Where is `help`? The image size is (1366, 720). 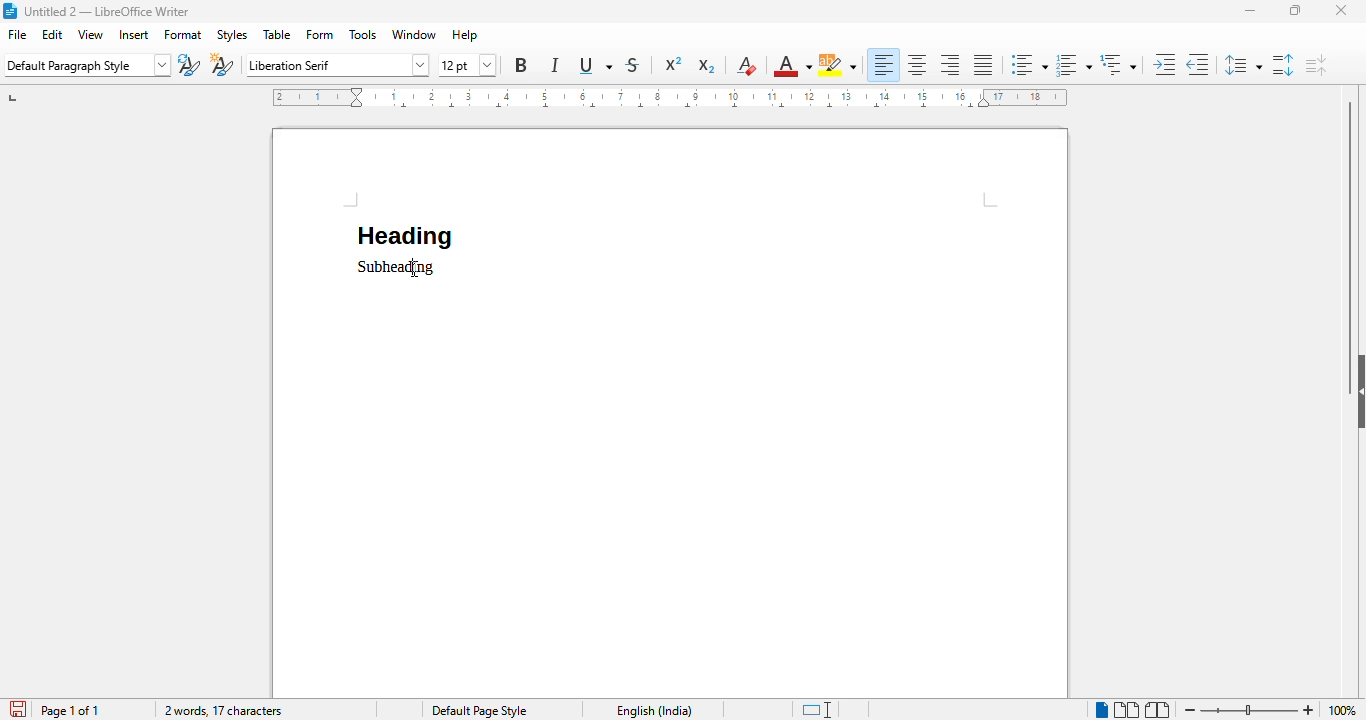
help is located at coordinates (464, 35).